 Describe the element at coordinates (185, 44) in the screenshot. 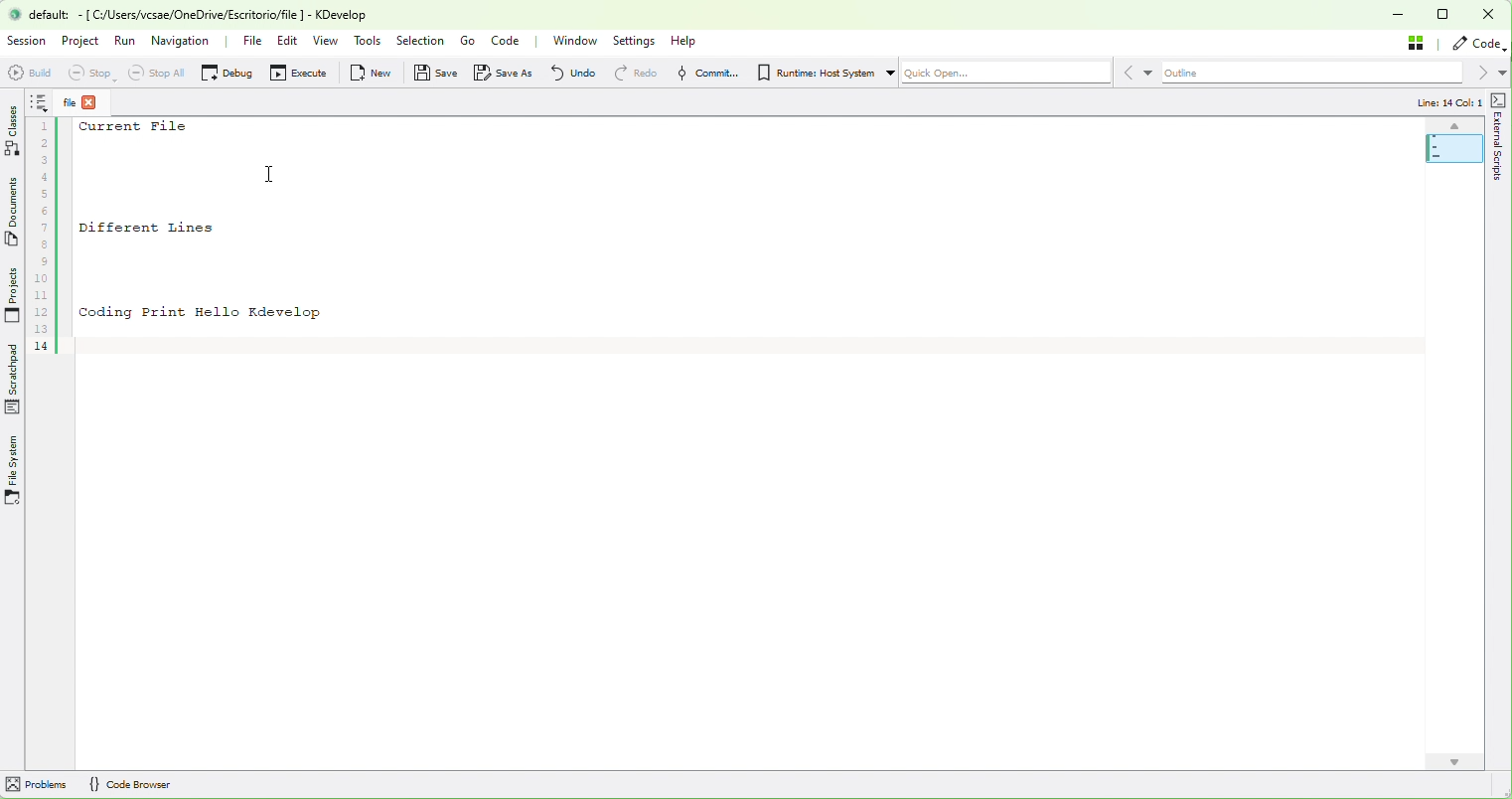

I see `Navigation` at that location.